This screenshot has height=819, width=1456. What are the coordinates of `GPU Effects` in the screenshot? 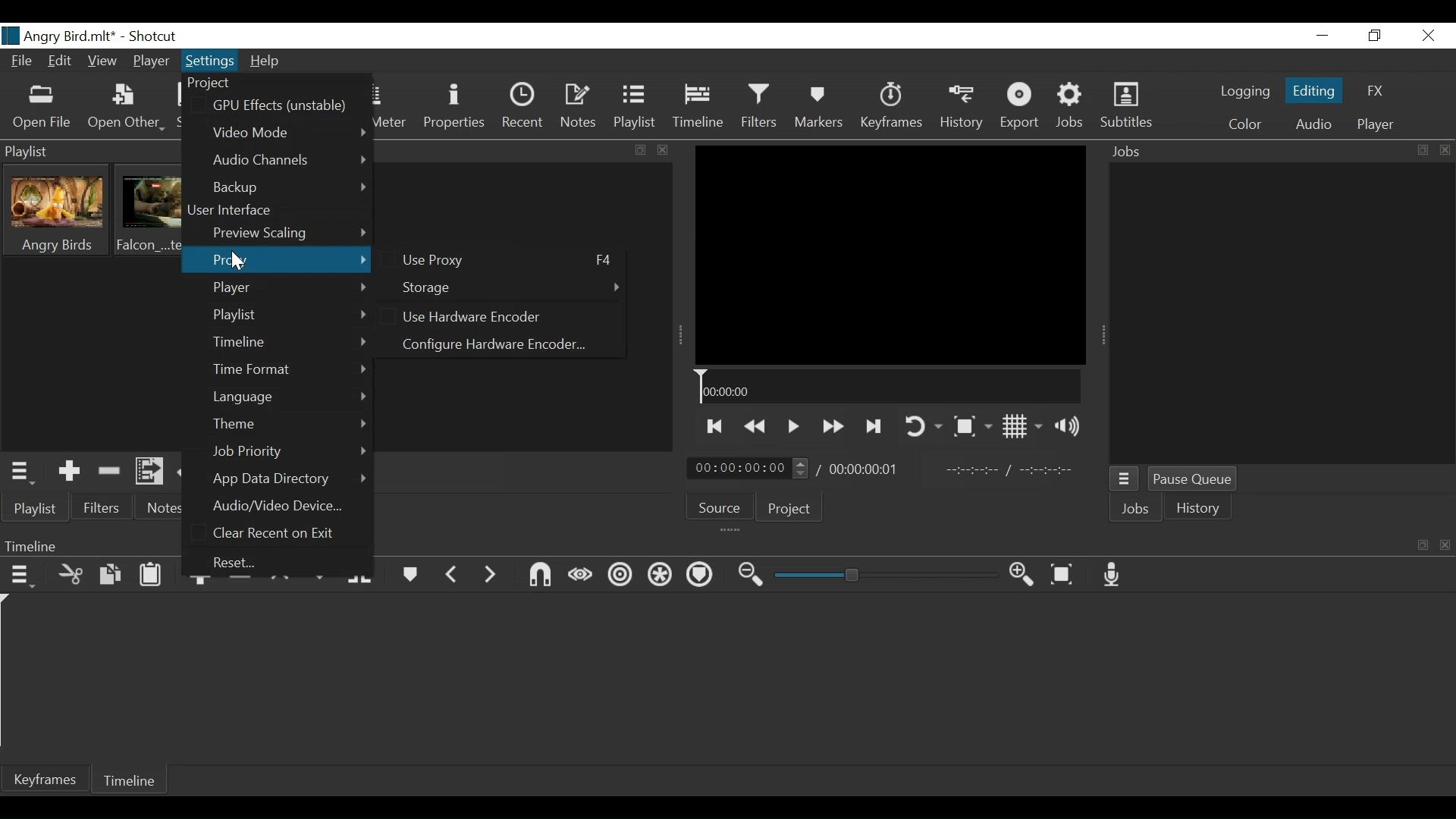 It's located at (279, 106).